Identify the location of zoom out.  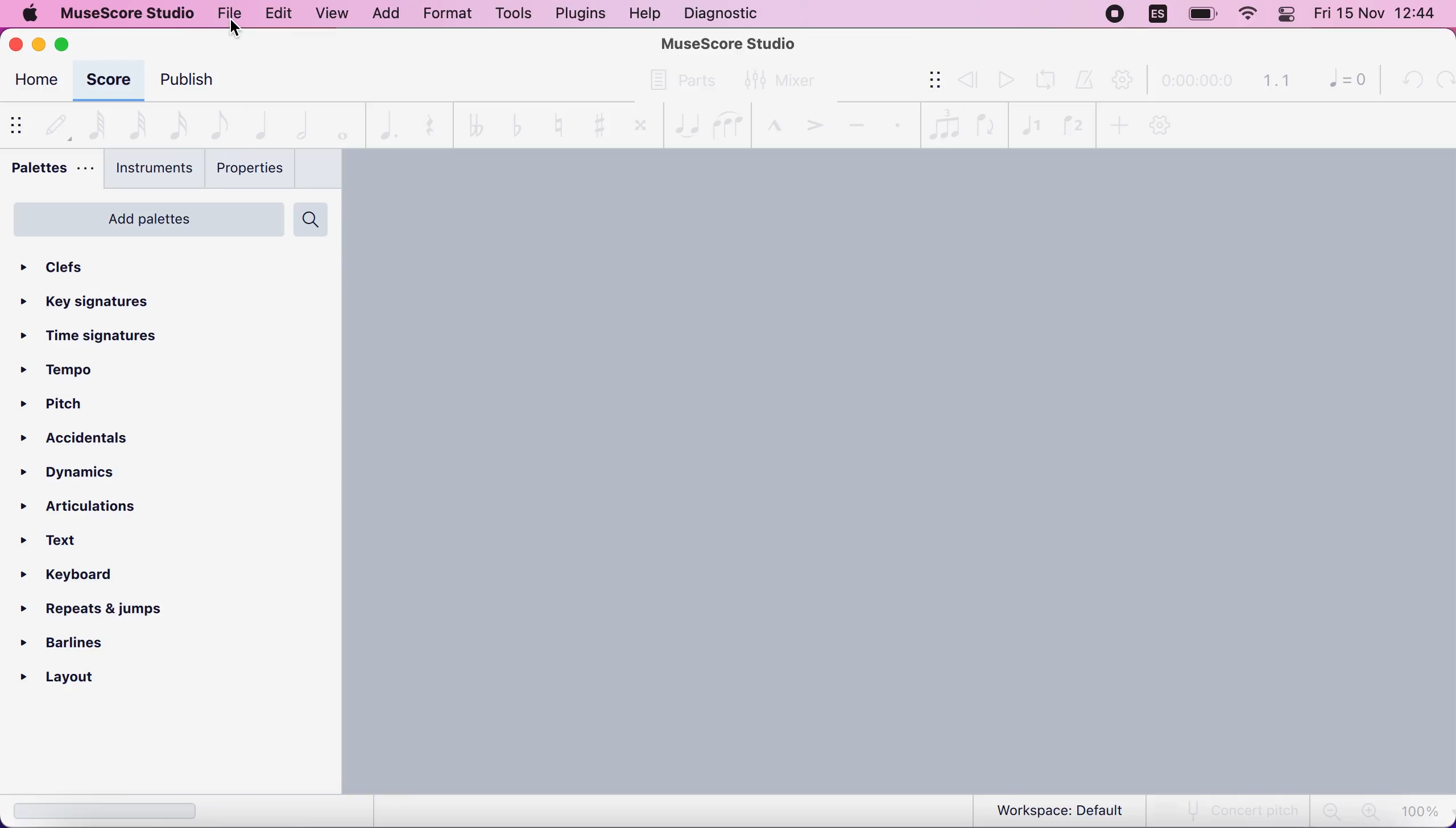
(1330, 812).